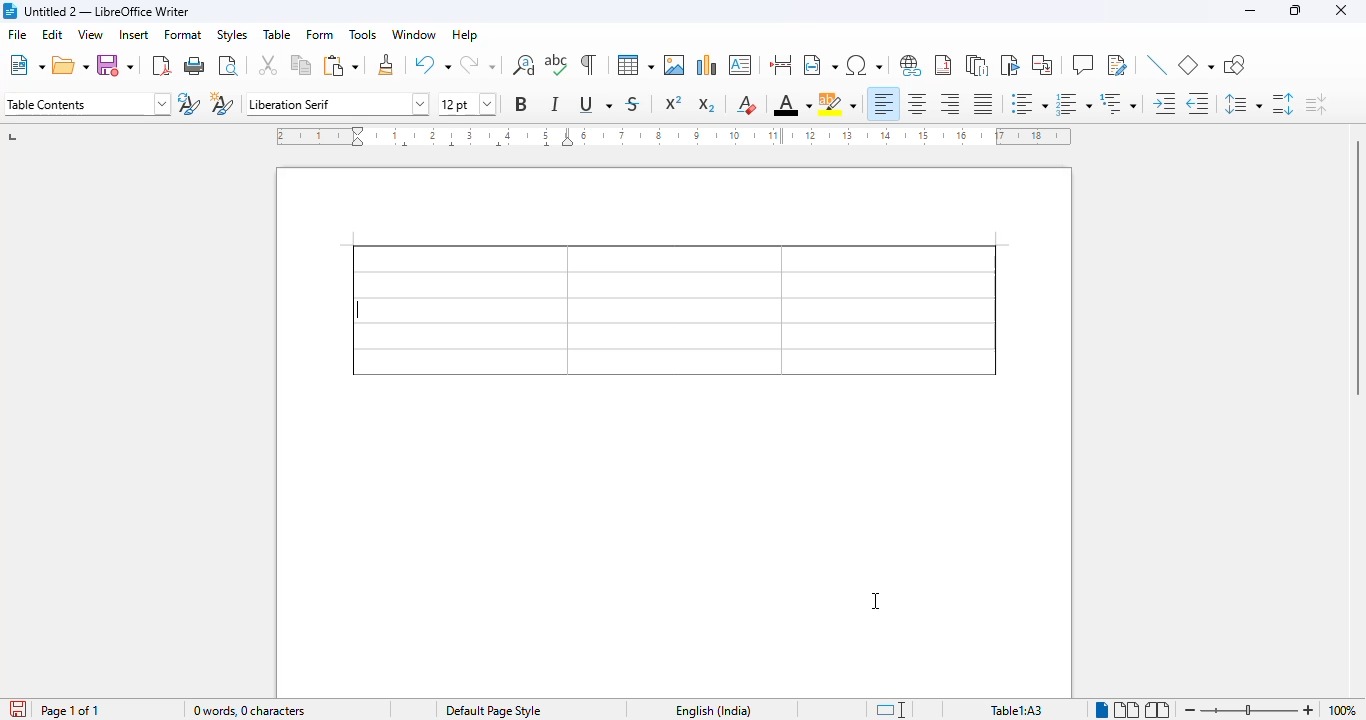  Describe the element at coordinates (1017, 710) in the screenshot. I see `table1:A1` at that location.